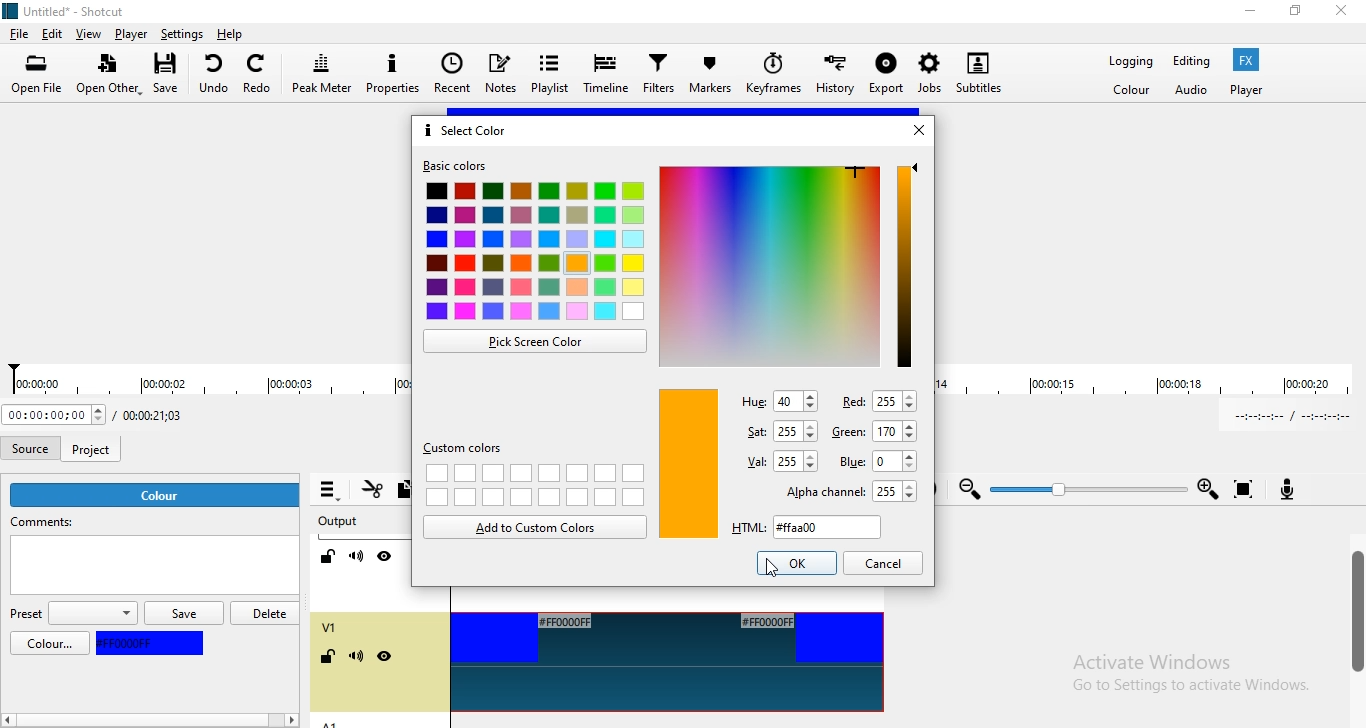  Describe the element at coordinates (356, 658) in the screenshot. I see `mute` at that location.